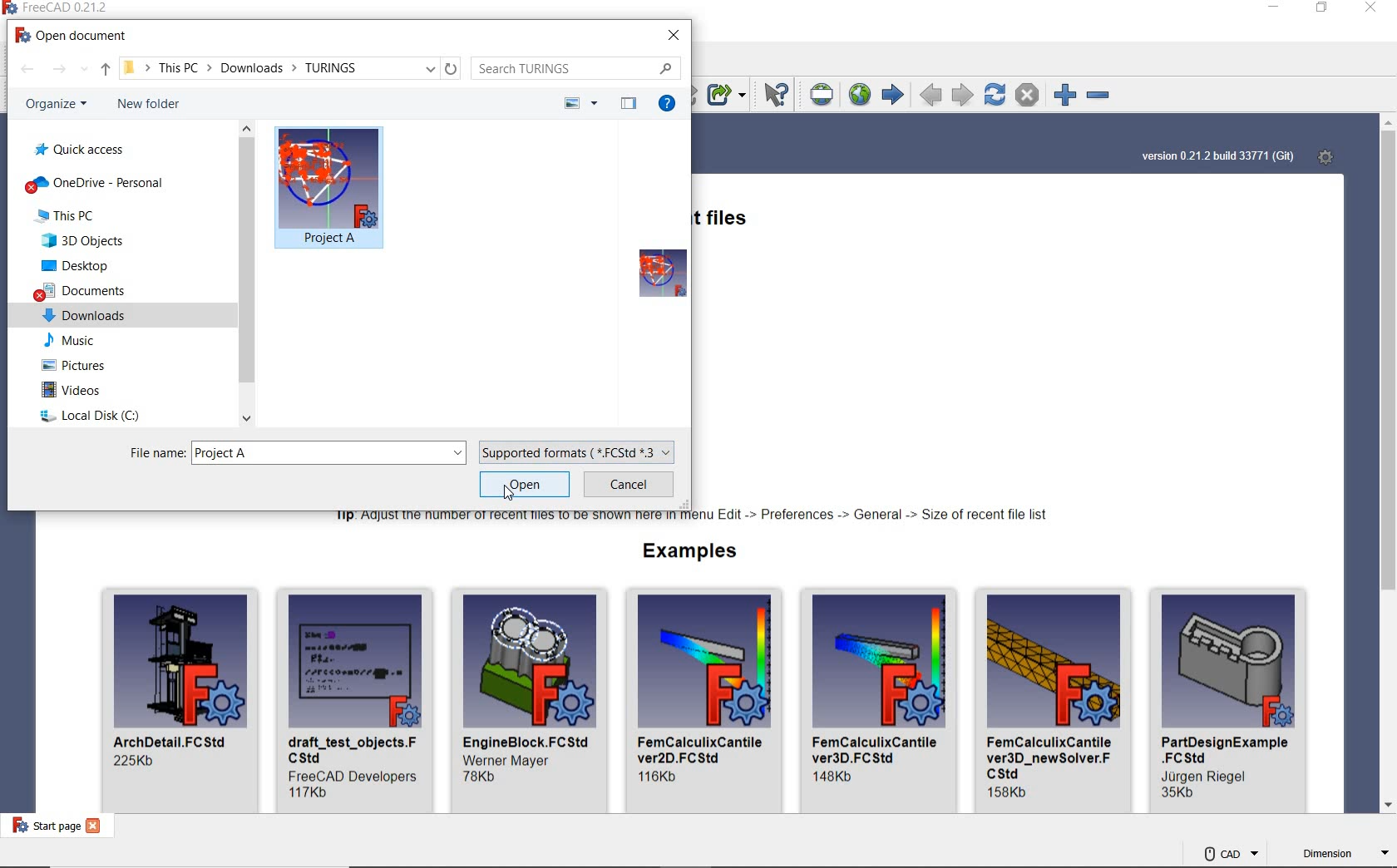  I want to click on show all options, so click(86, 71).